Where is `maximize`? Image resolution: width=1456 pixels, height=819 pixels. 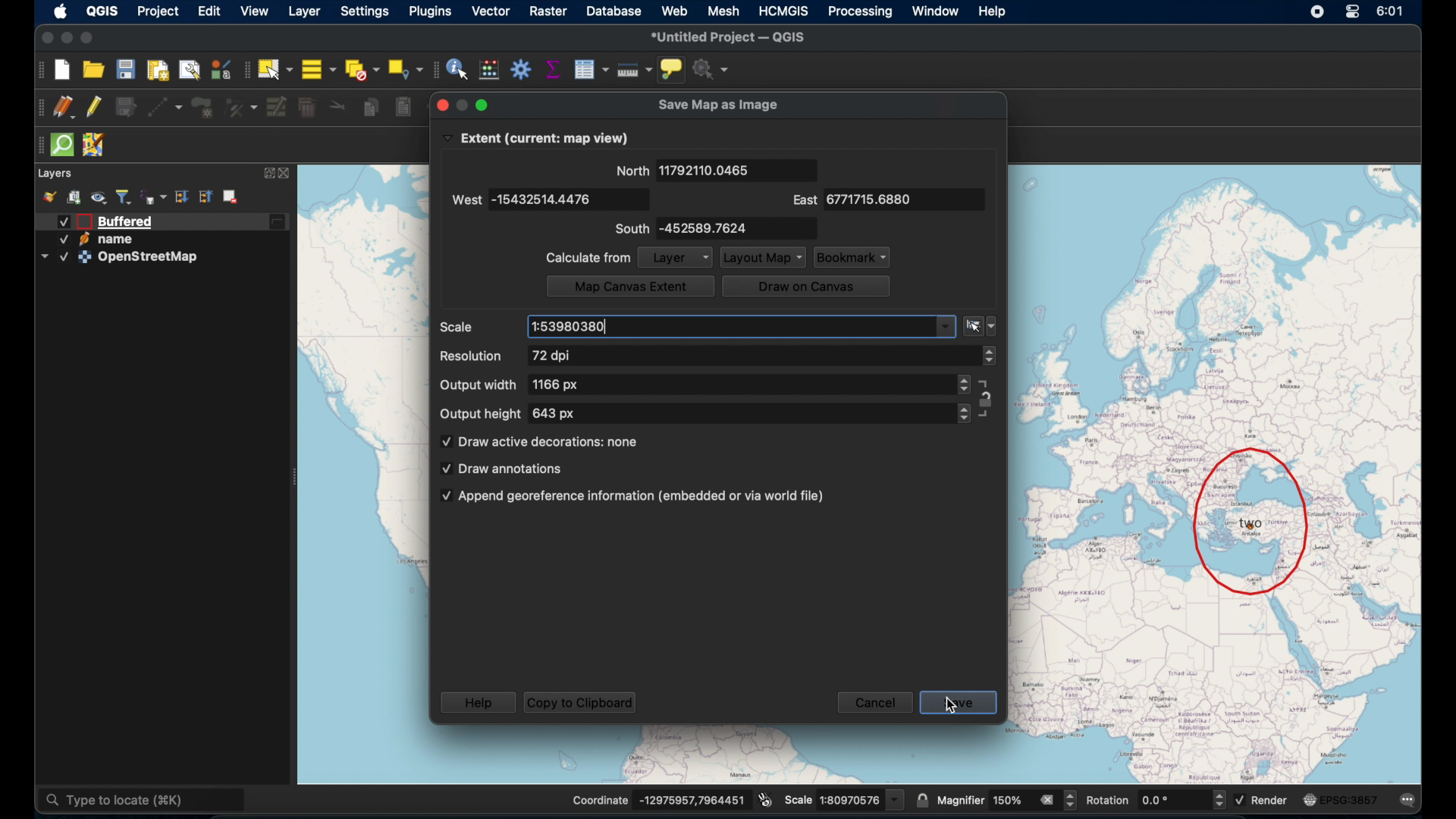 maximize is located at coordinates (463, 105).